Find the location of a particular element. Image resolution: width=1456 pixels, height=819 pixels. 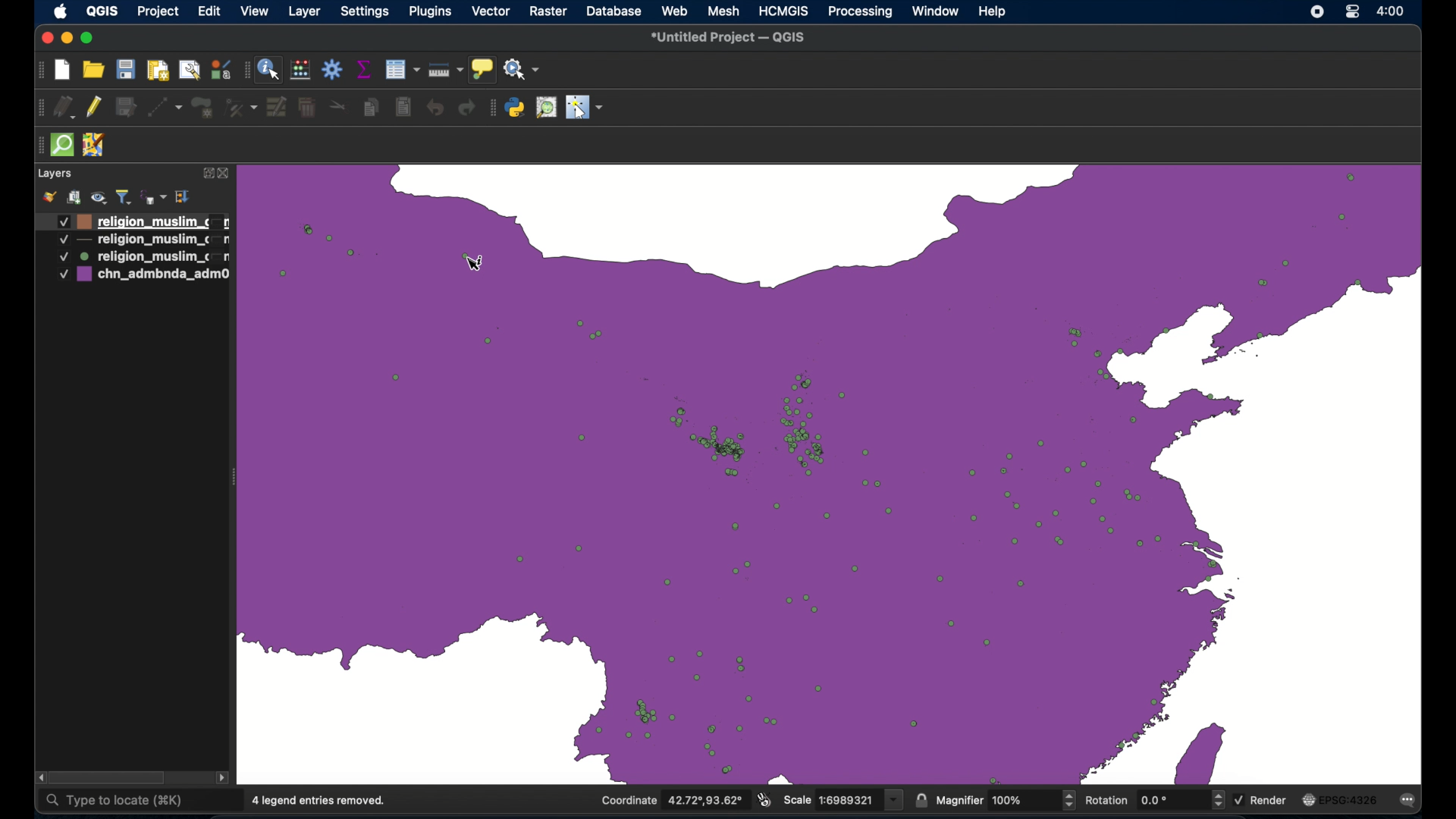

settings is located at coordinates (365, 12).